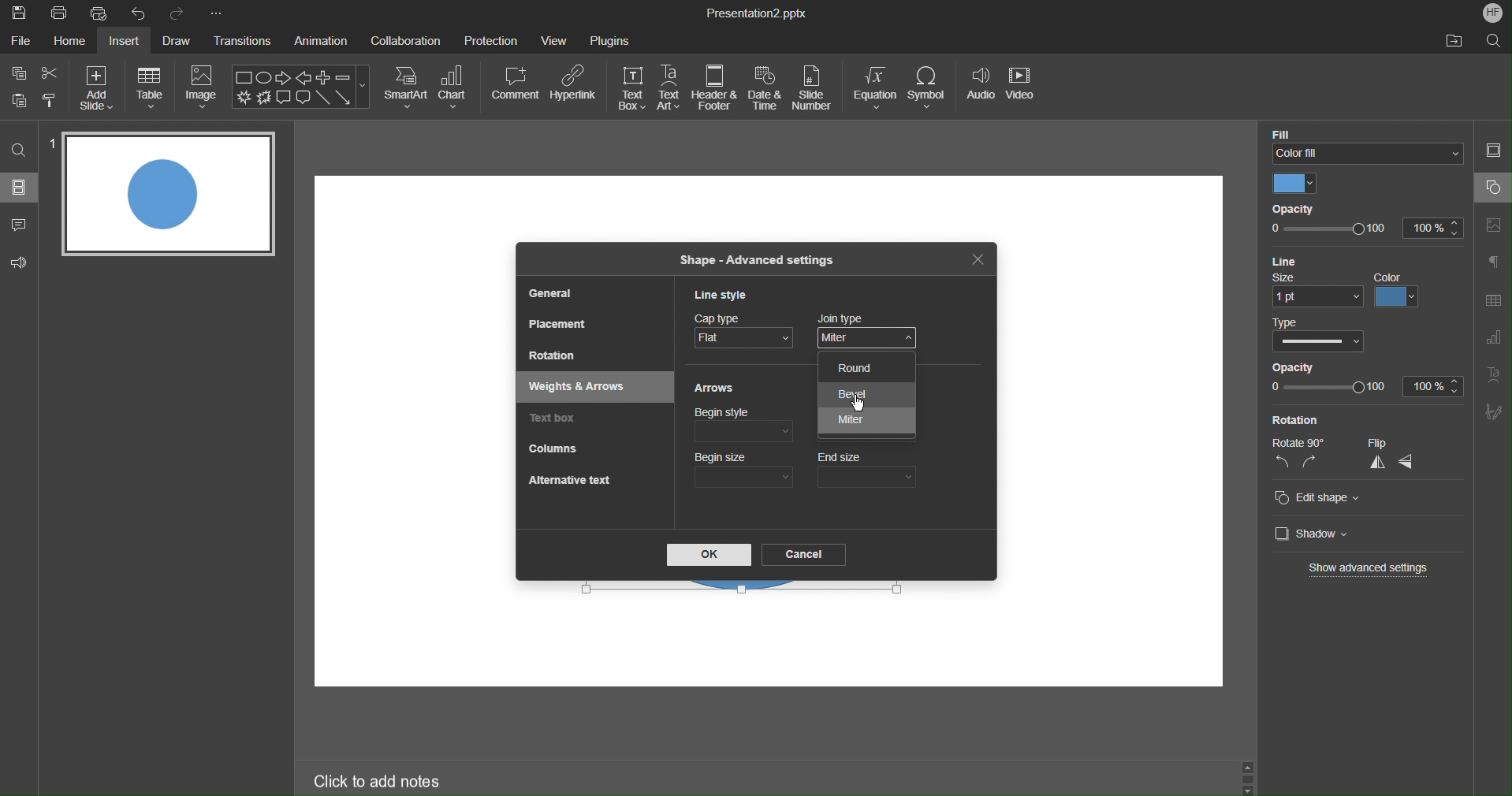 This screenshot has width=1512, height=796. Describe the element at coordinates (555, 322) in the screenshot. I see `Placement` at that location.